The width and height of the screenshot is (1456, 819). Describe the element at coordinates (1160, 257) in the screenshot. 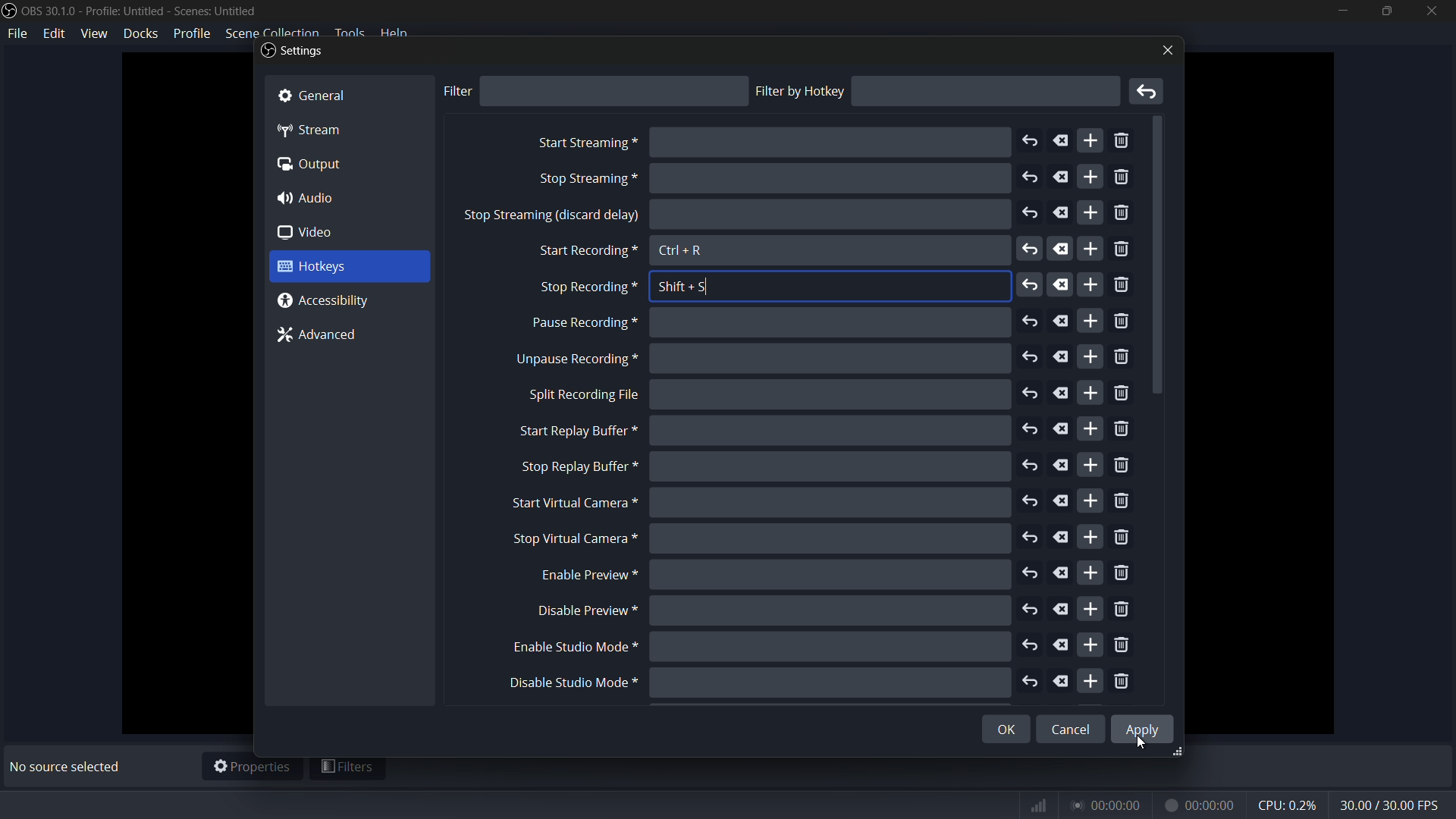

I see `scroll down` at that location.